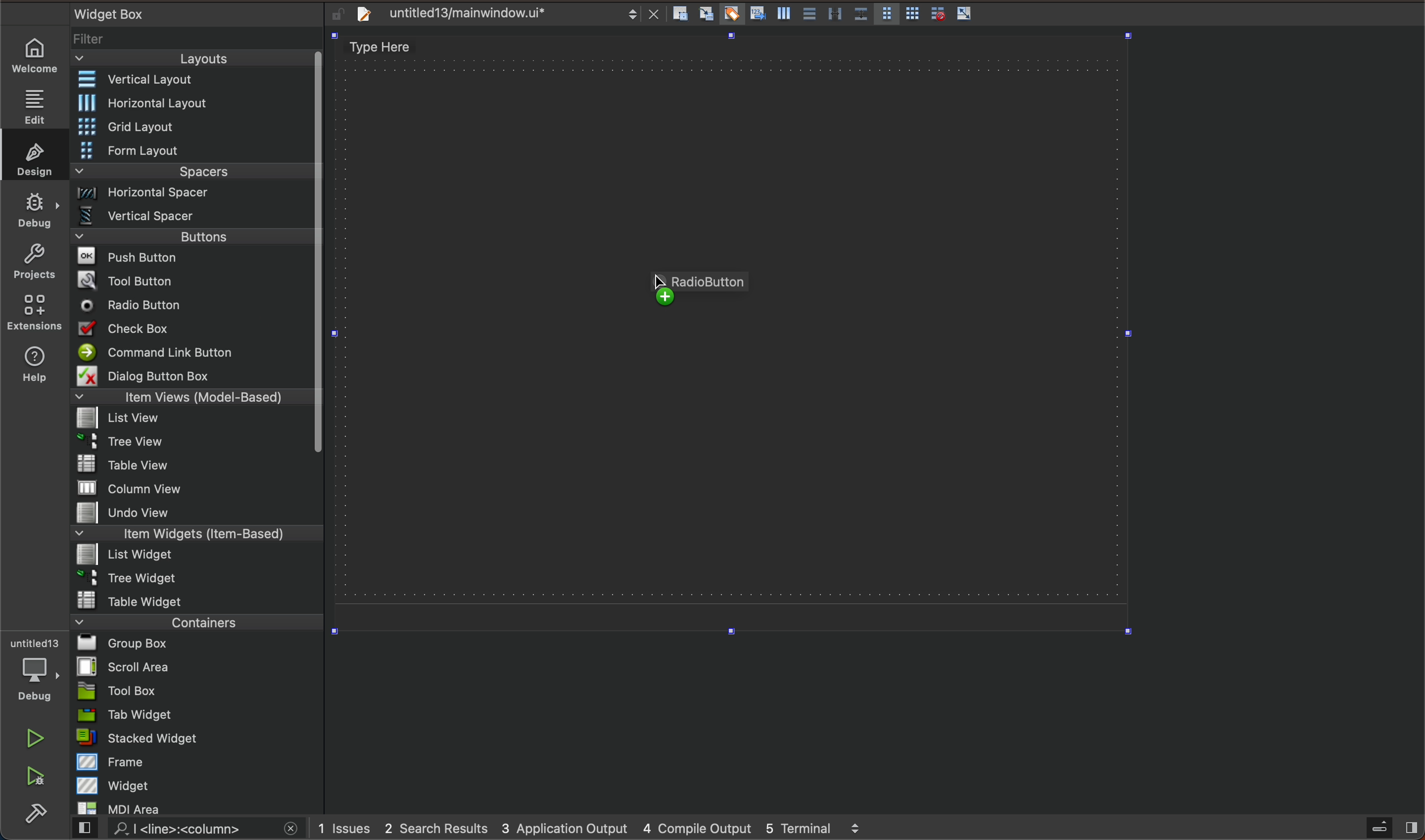  I want to click on checkbox being dragged , so click(699, 288).